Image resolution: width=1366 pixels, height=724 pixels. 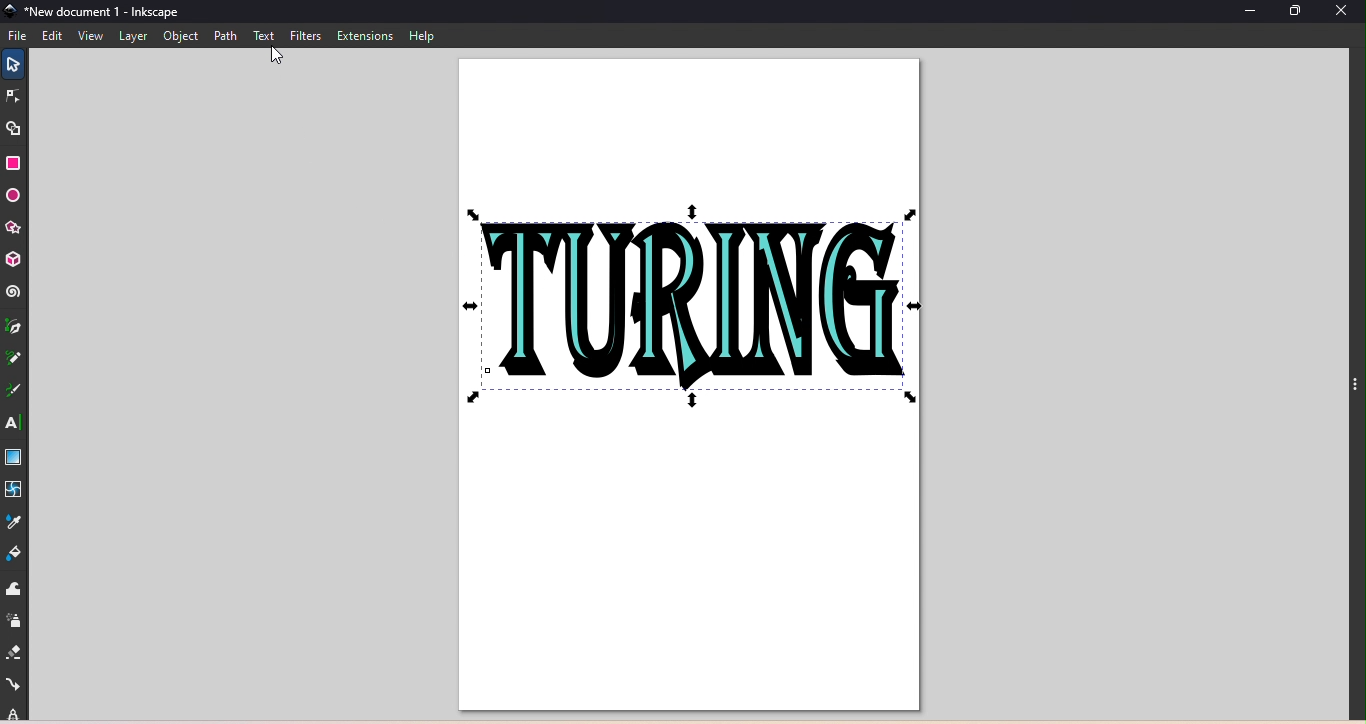 What do you see at coordinates (16, 490) in the screenshot?
I see `Mesh tool` at bounding box center [16, 490].